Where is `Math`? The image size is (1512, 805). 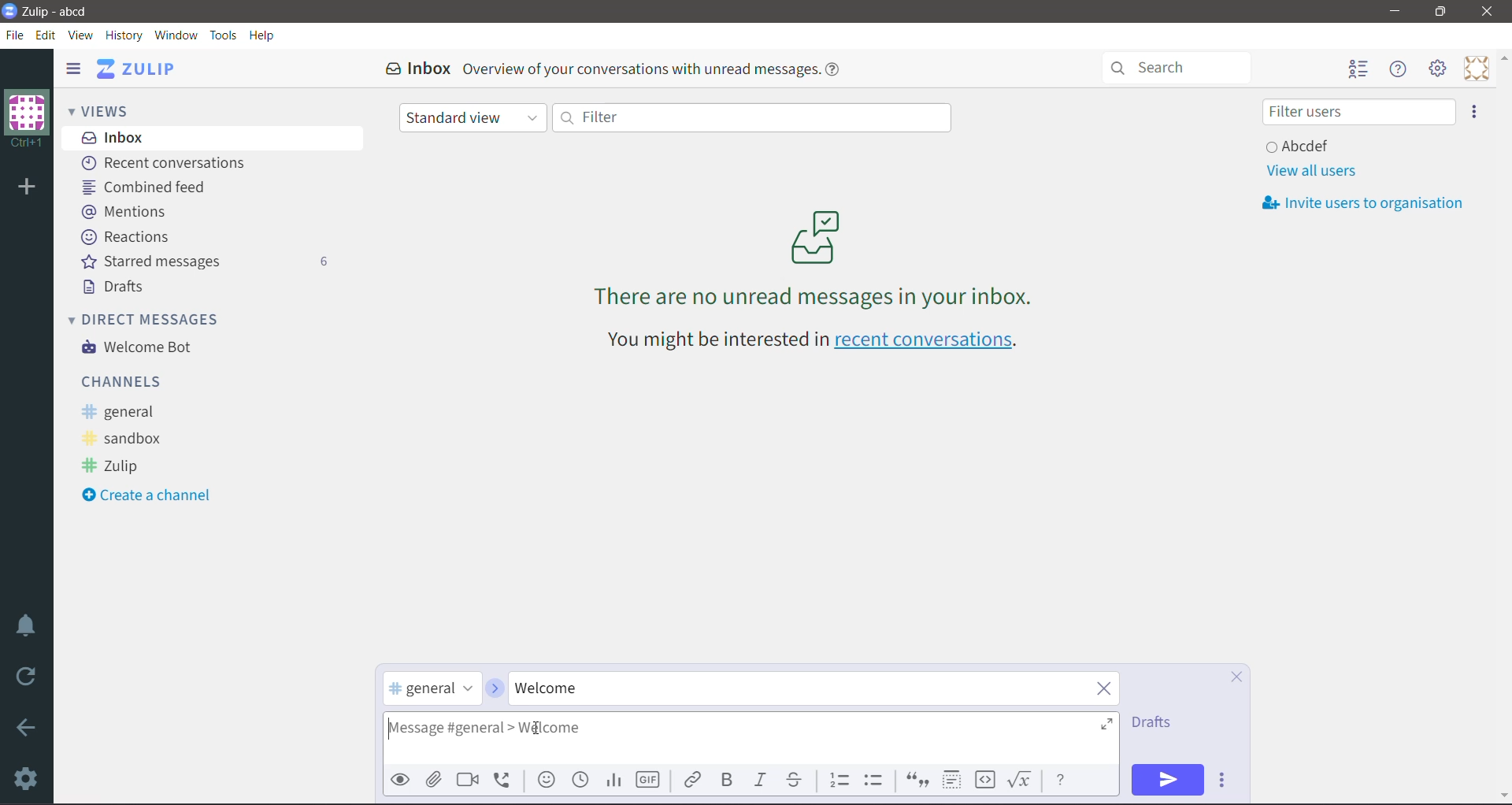
Math is located at coordinates (1022, 780).